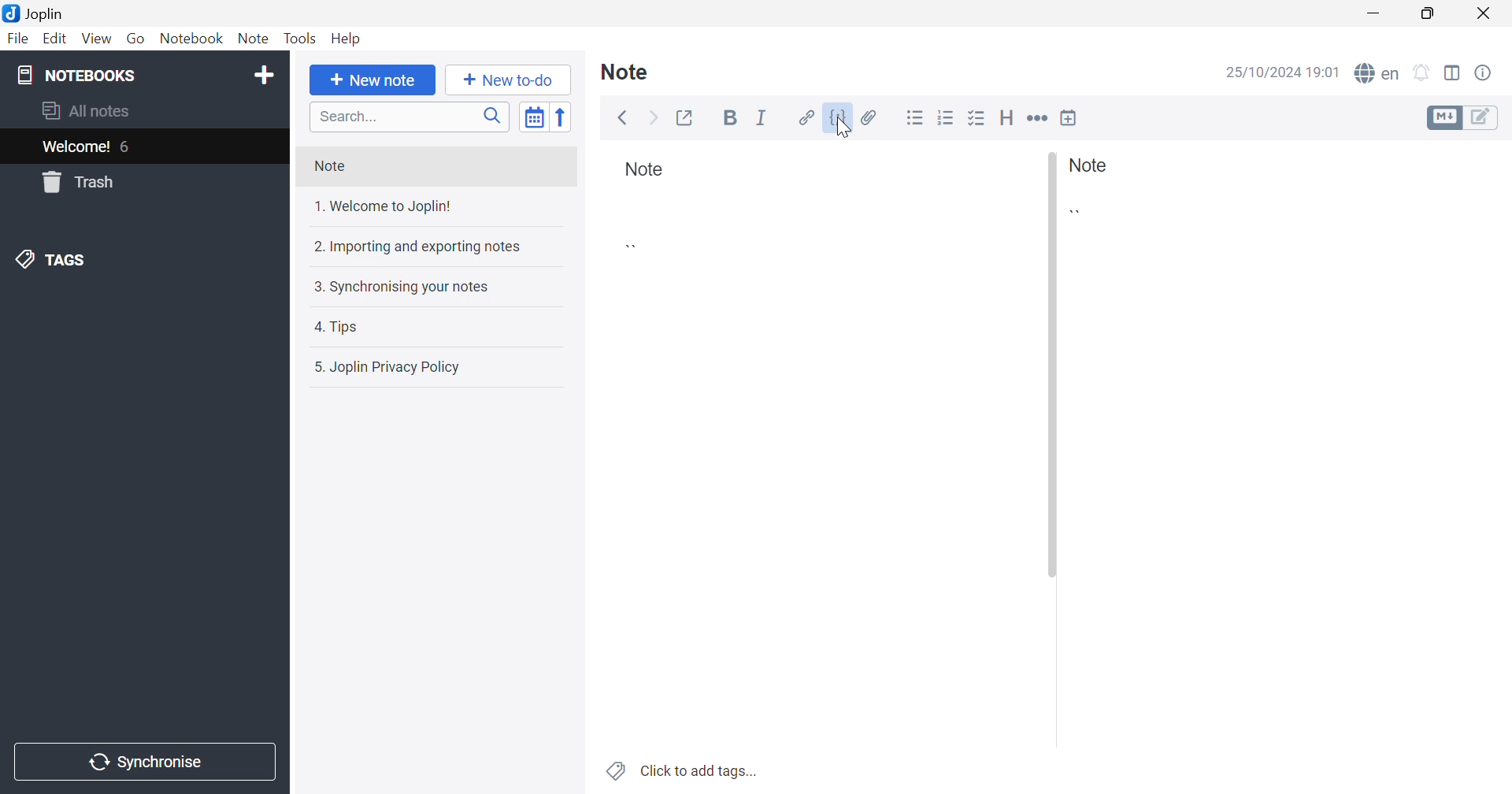 The width and height of the screenshot is (1512, 794). Describe the element at coordinates (193, 39) in the screenshot. I see `Notebook` at that location.